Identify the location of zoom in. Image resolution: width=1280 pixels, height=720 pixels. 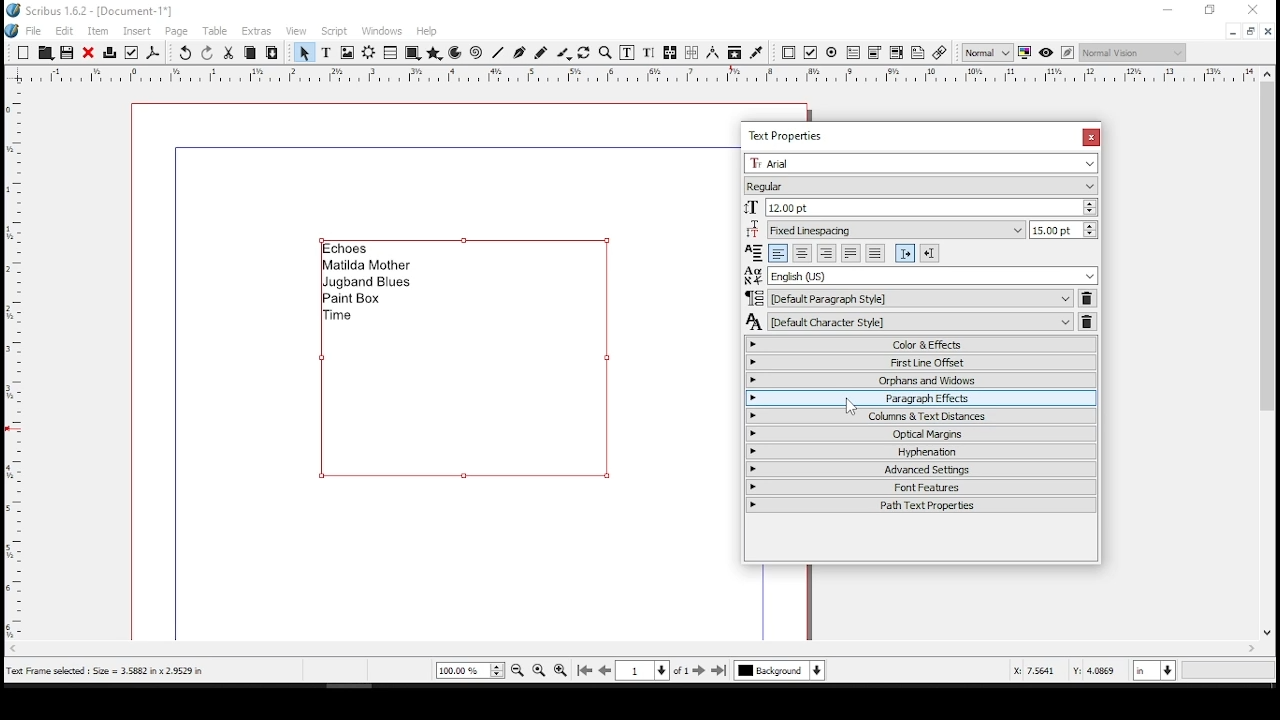
(559, 672).